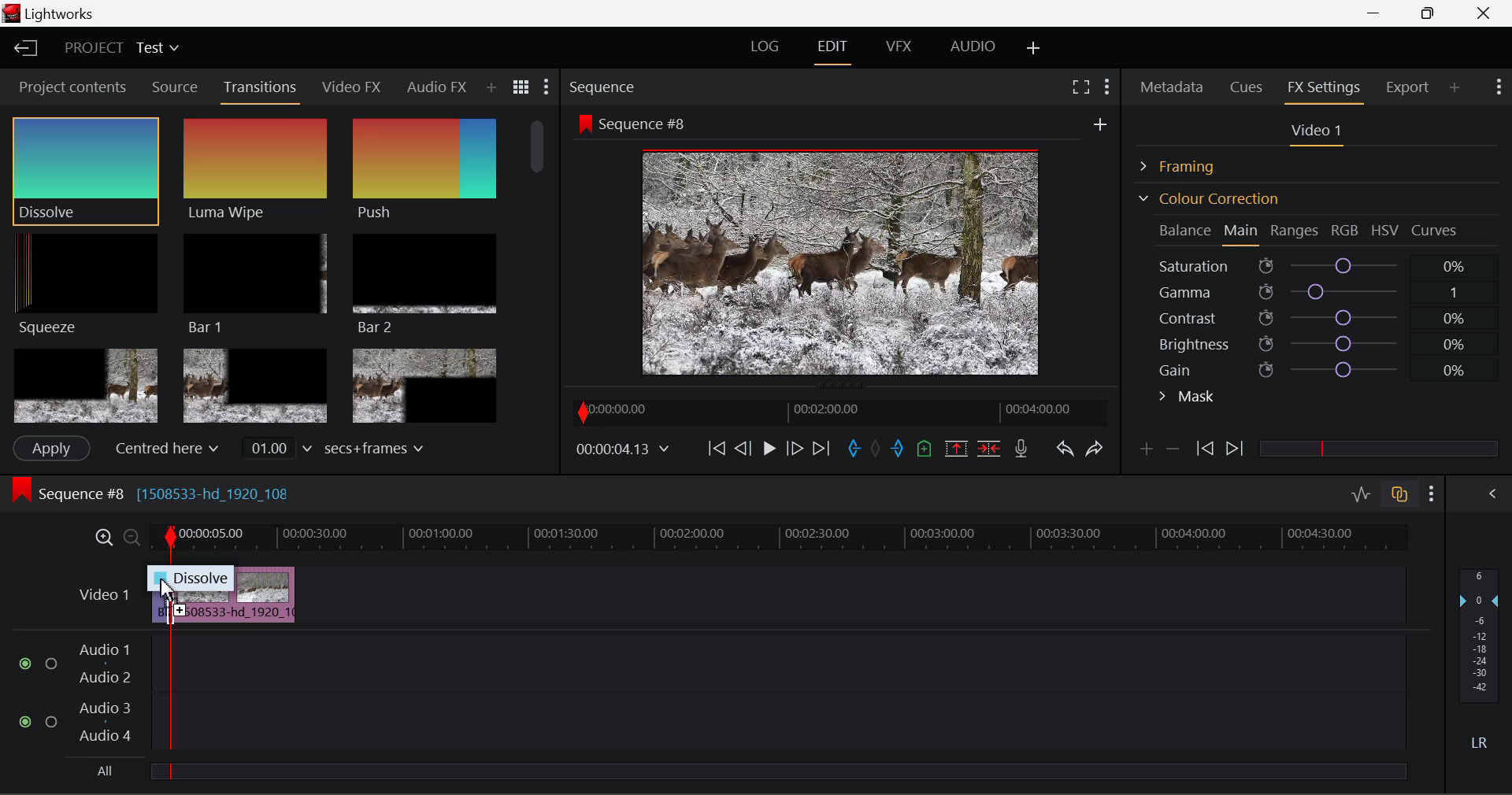 The image size is (1512, 795). I want to click on Audio FX, so click(432, 87).